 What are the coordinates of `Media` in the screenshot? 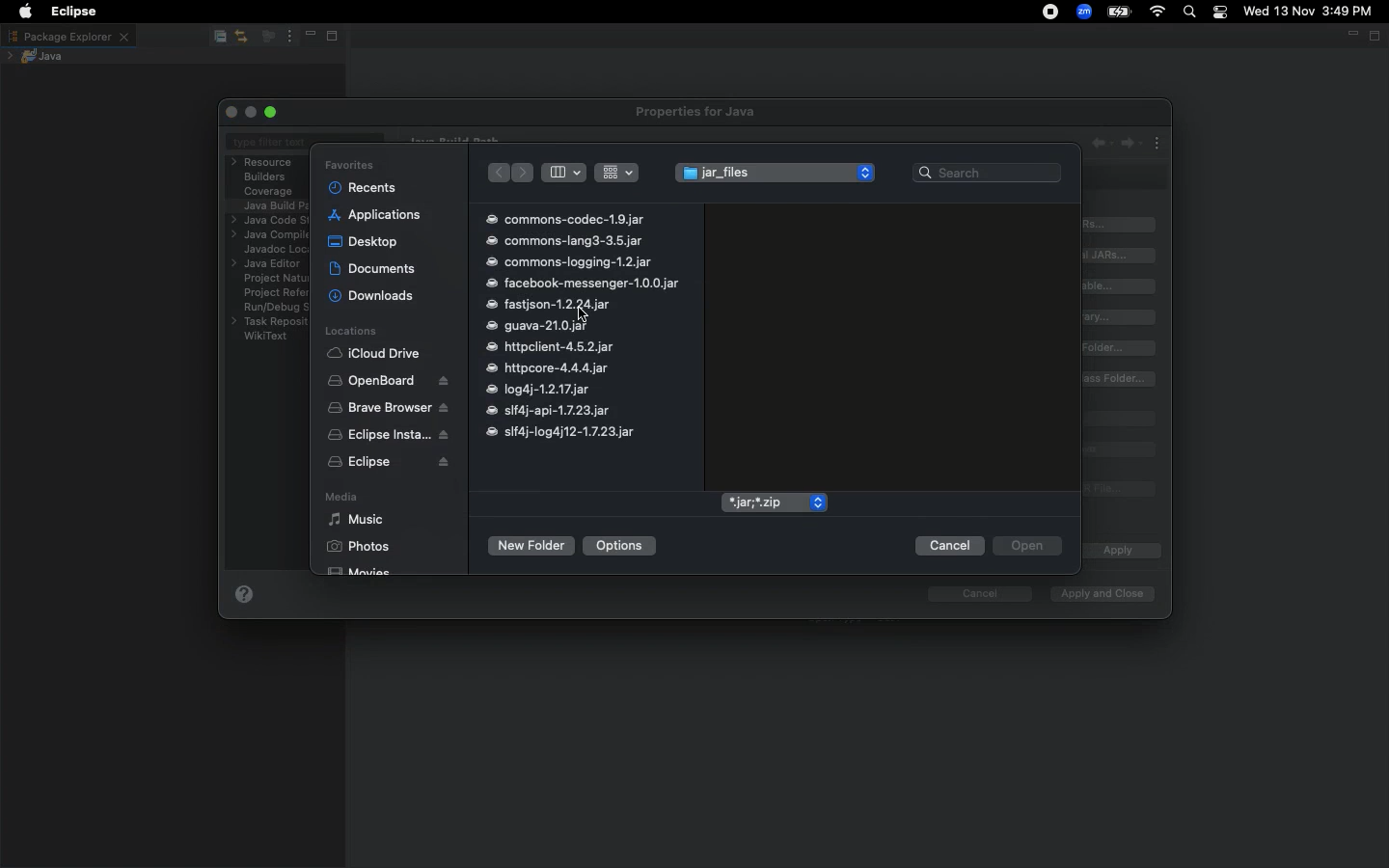 It's located at (340, 499).